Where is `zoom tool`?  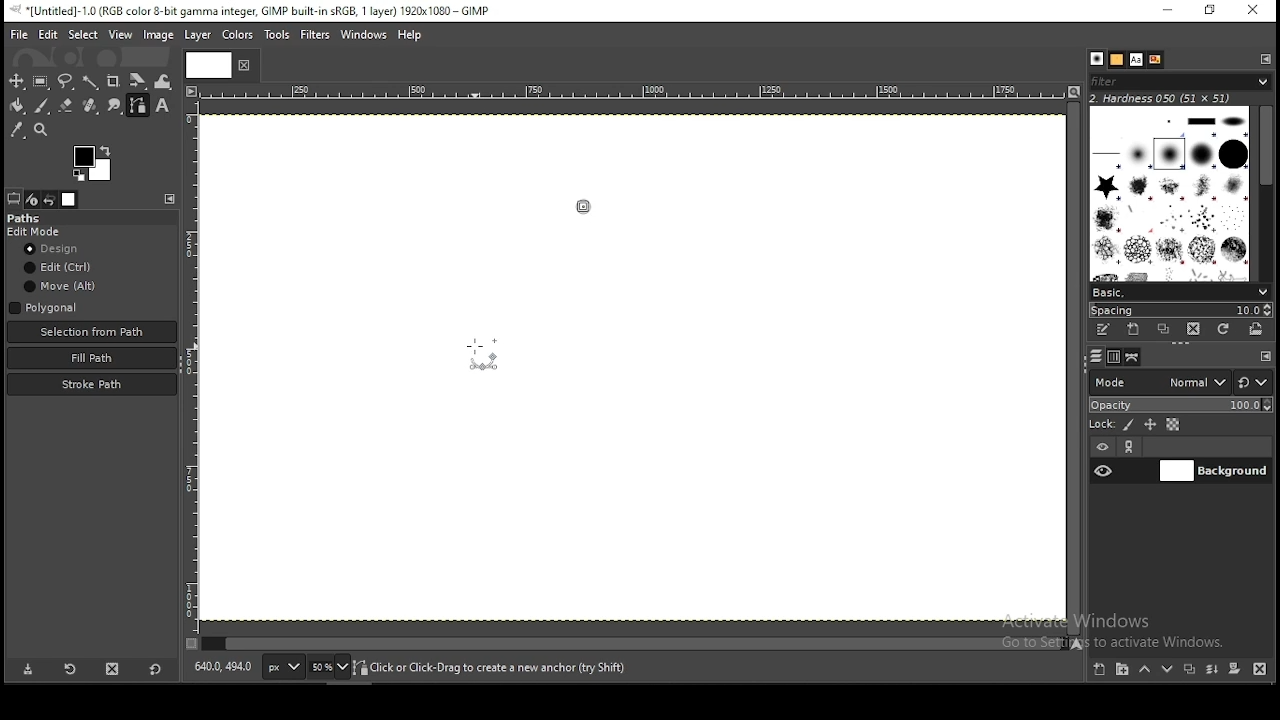 zoom tool is located at coordinates (42, 129).